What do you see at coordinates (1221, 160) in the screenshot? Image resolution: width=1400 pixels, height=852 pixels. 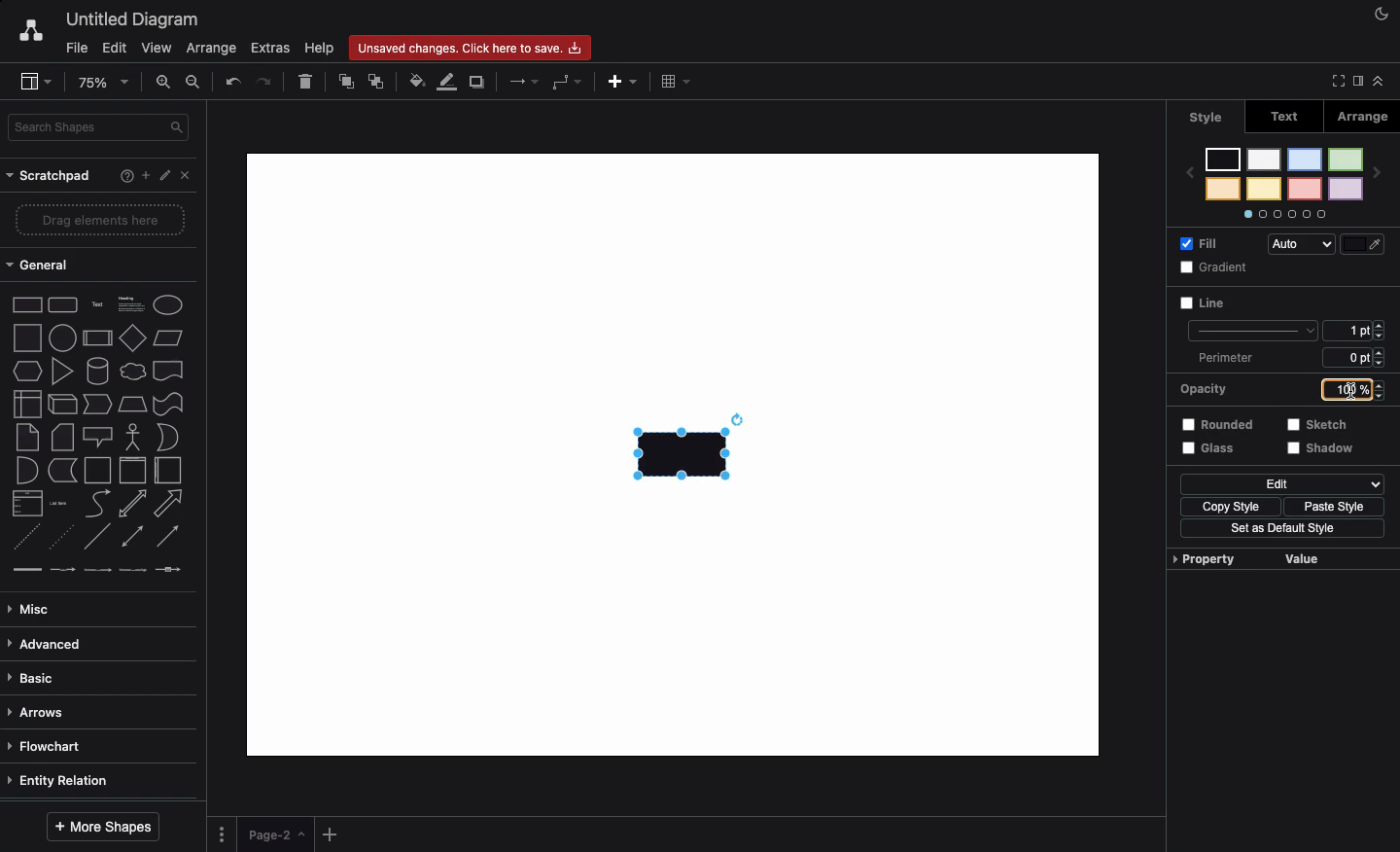 I see `color 7` at bounding box center [1221, 160].